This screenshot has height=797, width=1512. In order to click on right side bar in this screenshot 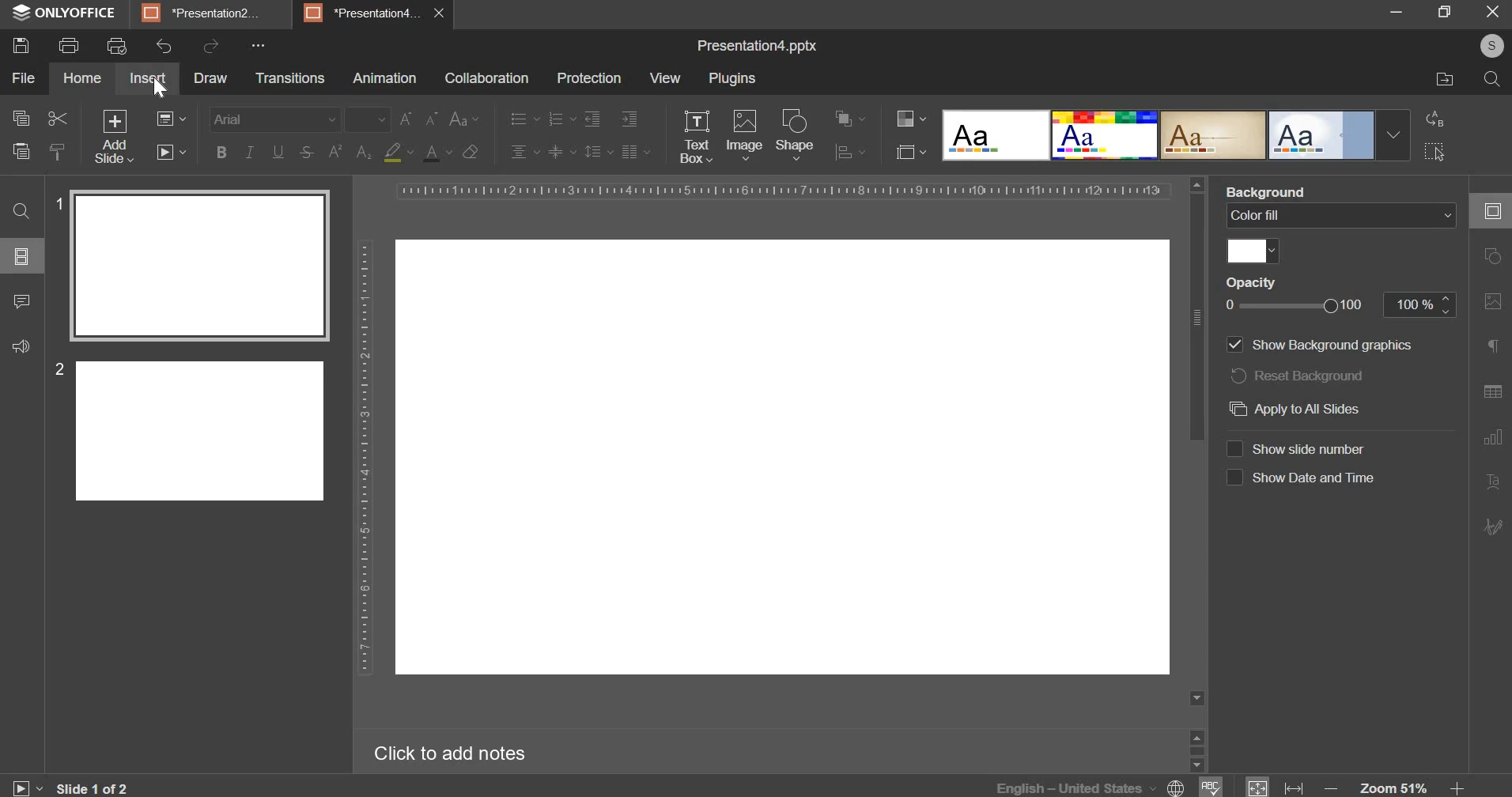, I will do `click(1489, 365)`.